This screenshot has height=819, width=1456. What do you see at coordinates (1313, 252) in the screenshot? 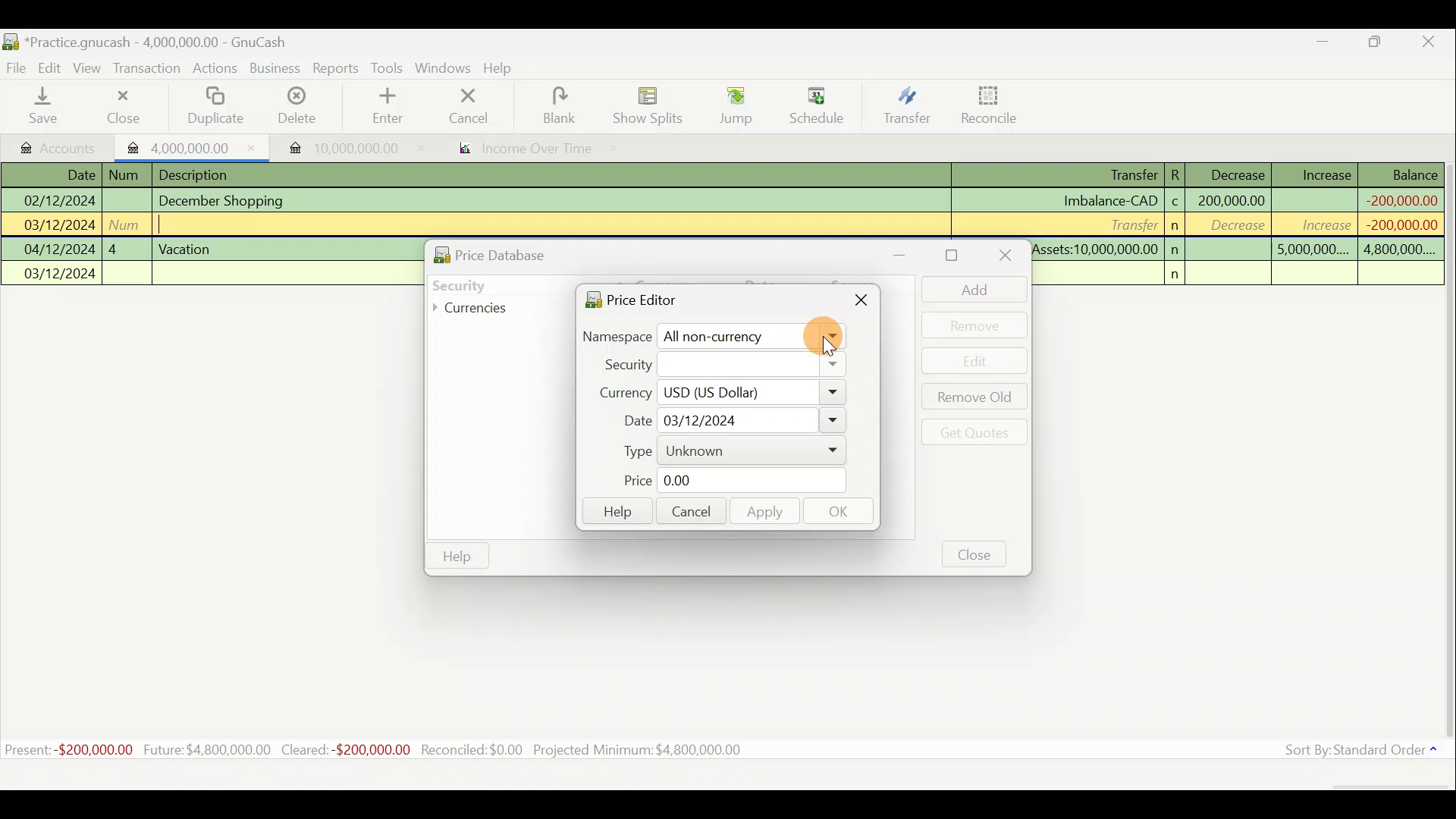
I see `5,000,000` at bounding box center [1313, 252].